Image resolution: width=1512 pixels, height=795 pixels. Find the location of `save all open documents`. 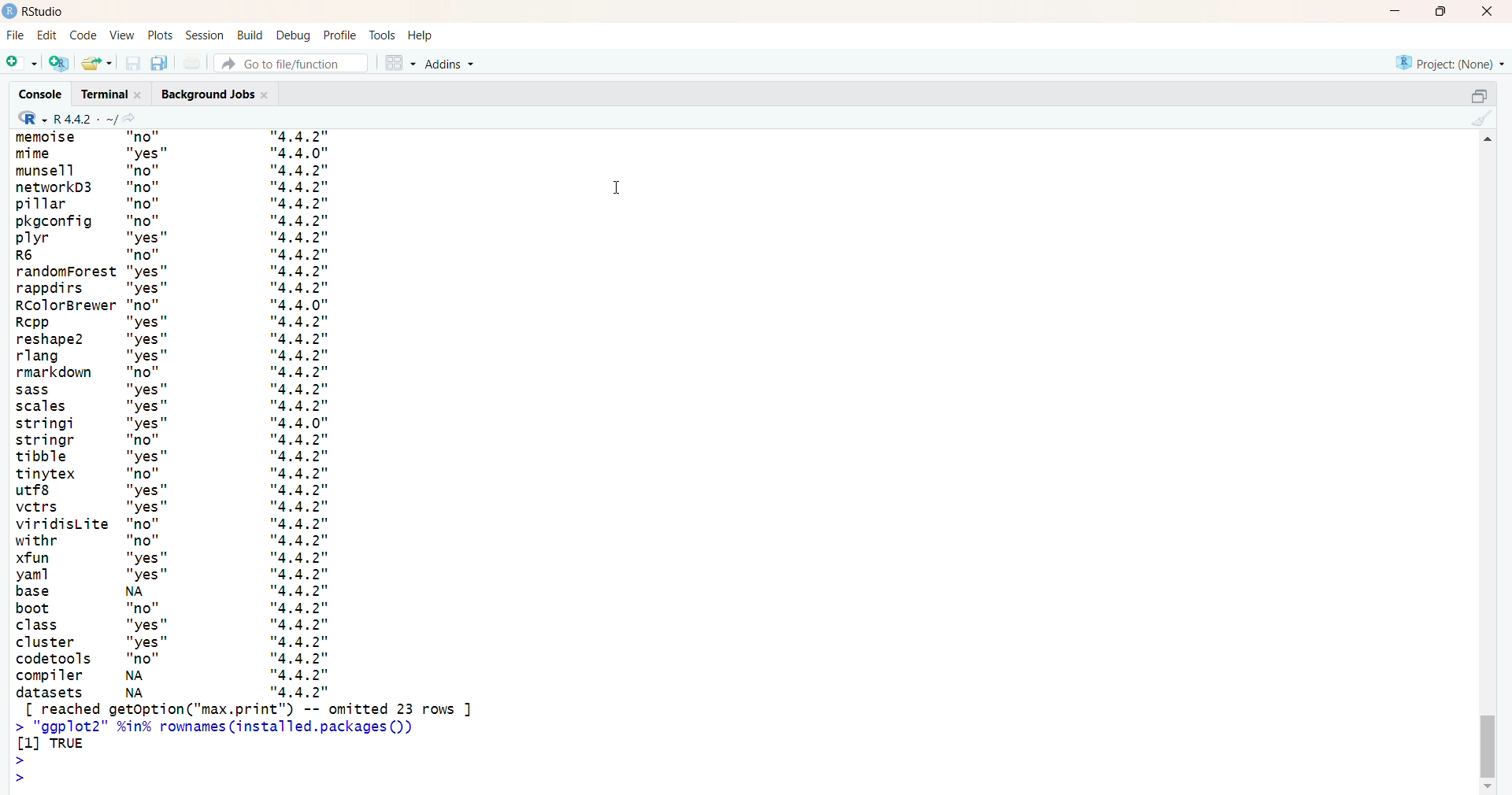

save all open documents is located at coordinates (159, 64).